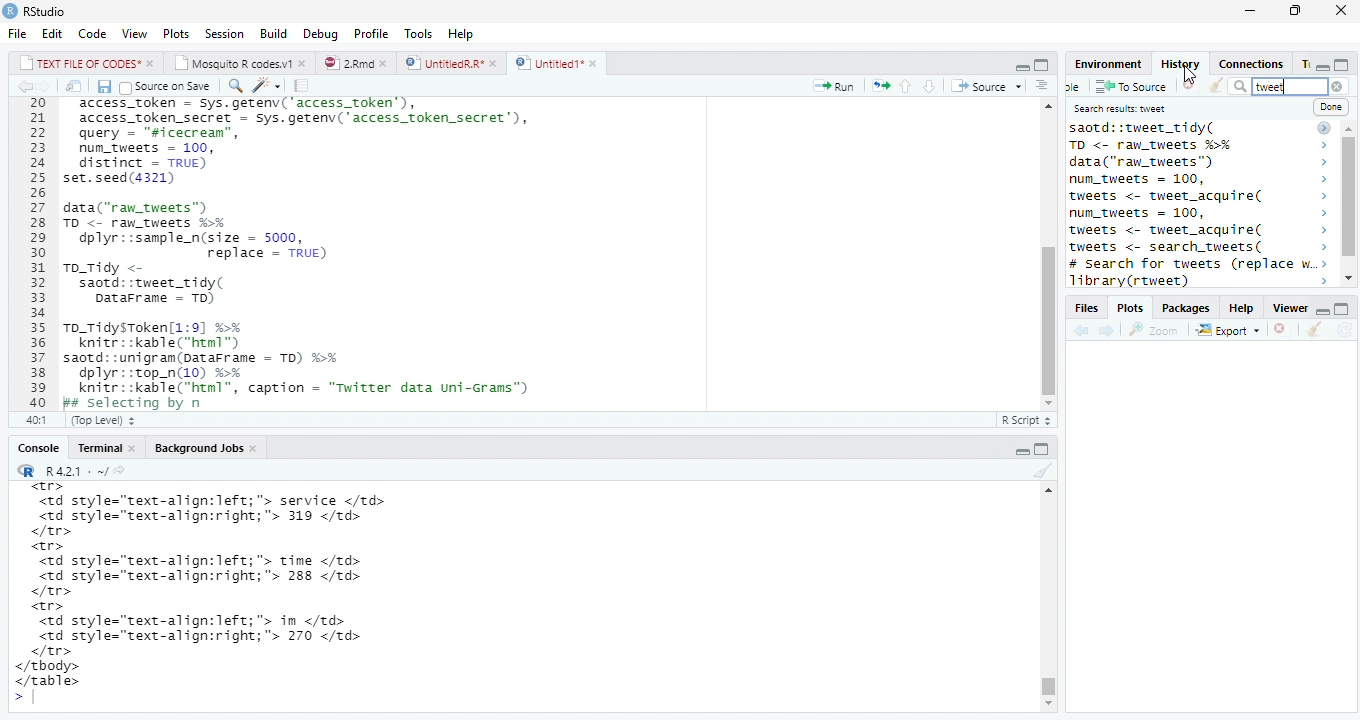 Image resolution: width=1360 pixels, height=720 pixels. Describe the element at coordinates (1050, 603) in the screenshot. I see `Scrollbar` at that location.